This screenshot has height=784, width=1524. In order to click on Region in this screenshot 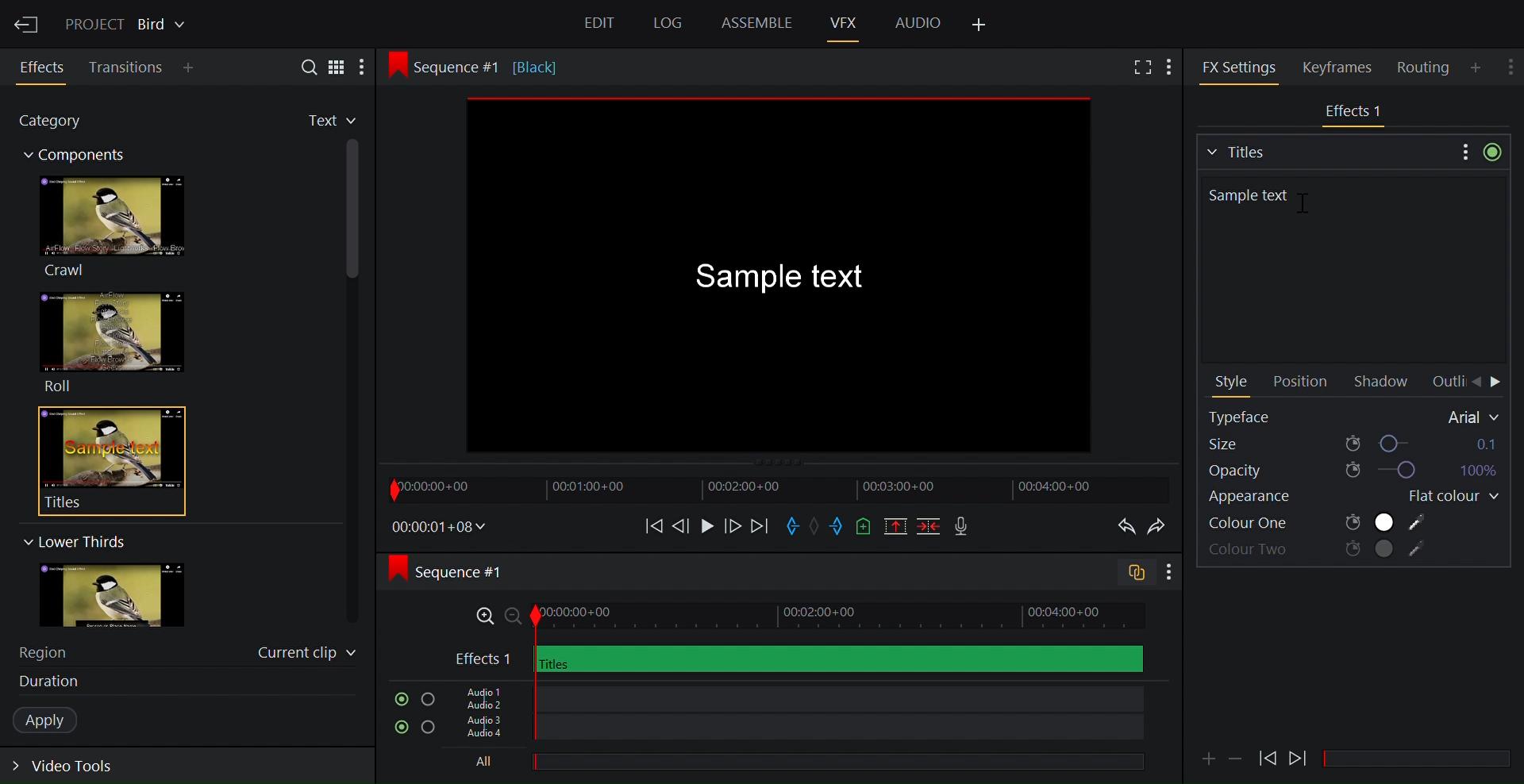, I will do `click(52, 651)`.